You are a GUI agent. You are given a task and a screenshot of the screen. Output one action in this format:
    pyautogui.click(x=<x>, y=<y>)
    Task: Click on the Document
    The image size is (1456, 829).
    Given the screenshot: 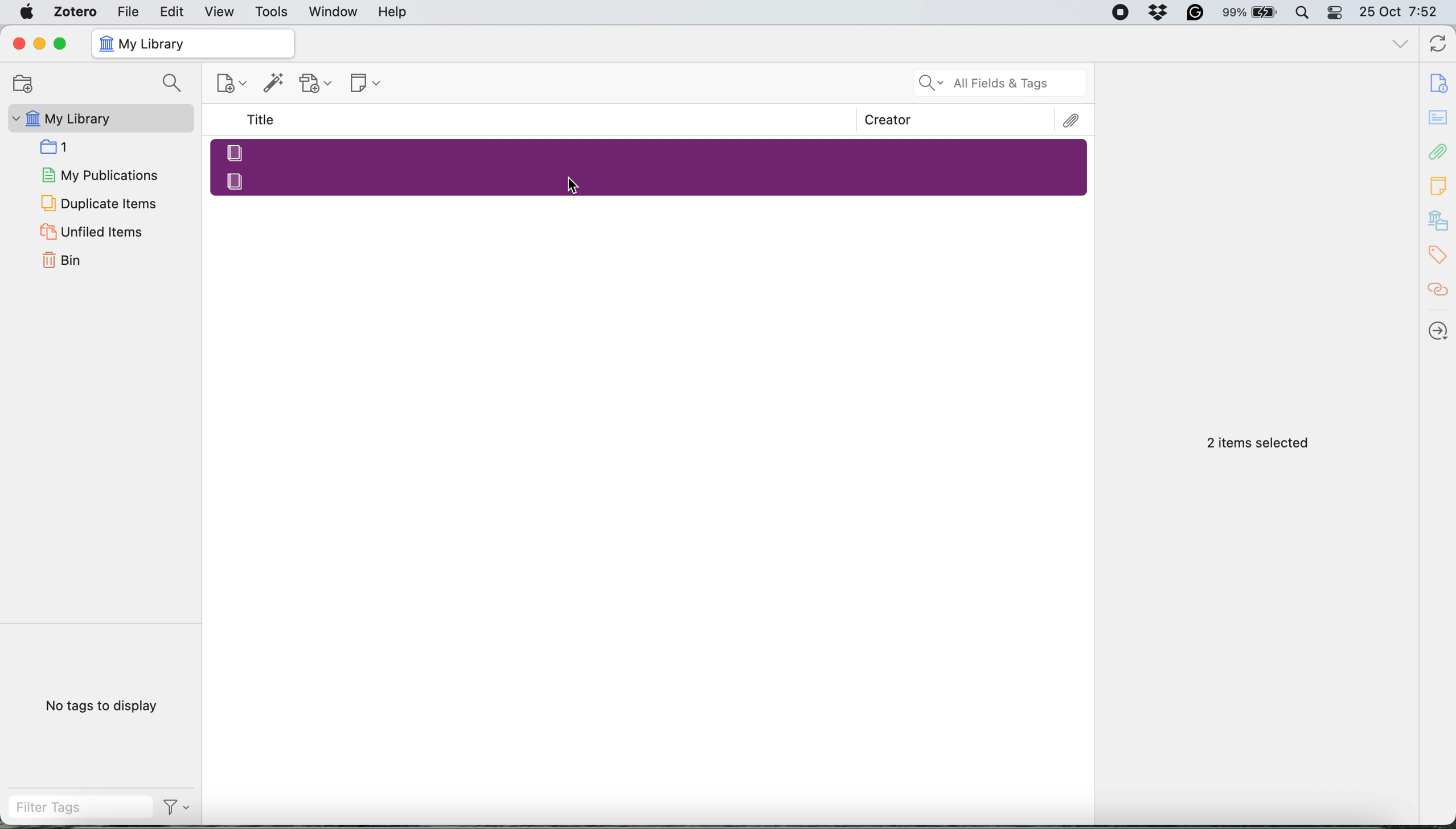 What is the action you would take?
    pyautogui.click(x=1439, y=83)
    